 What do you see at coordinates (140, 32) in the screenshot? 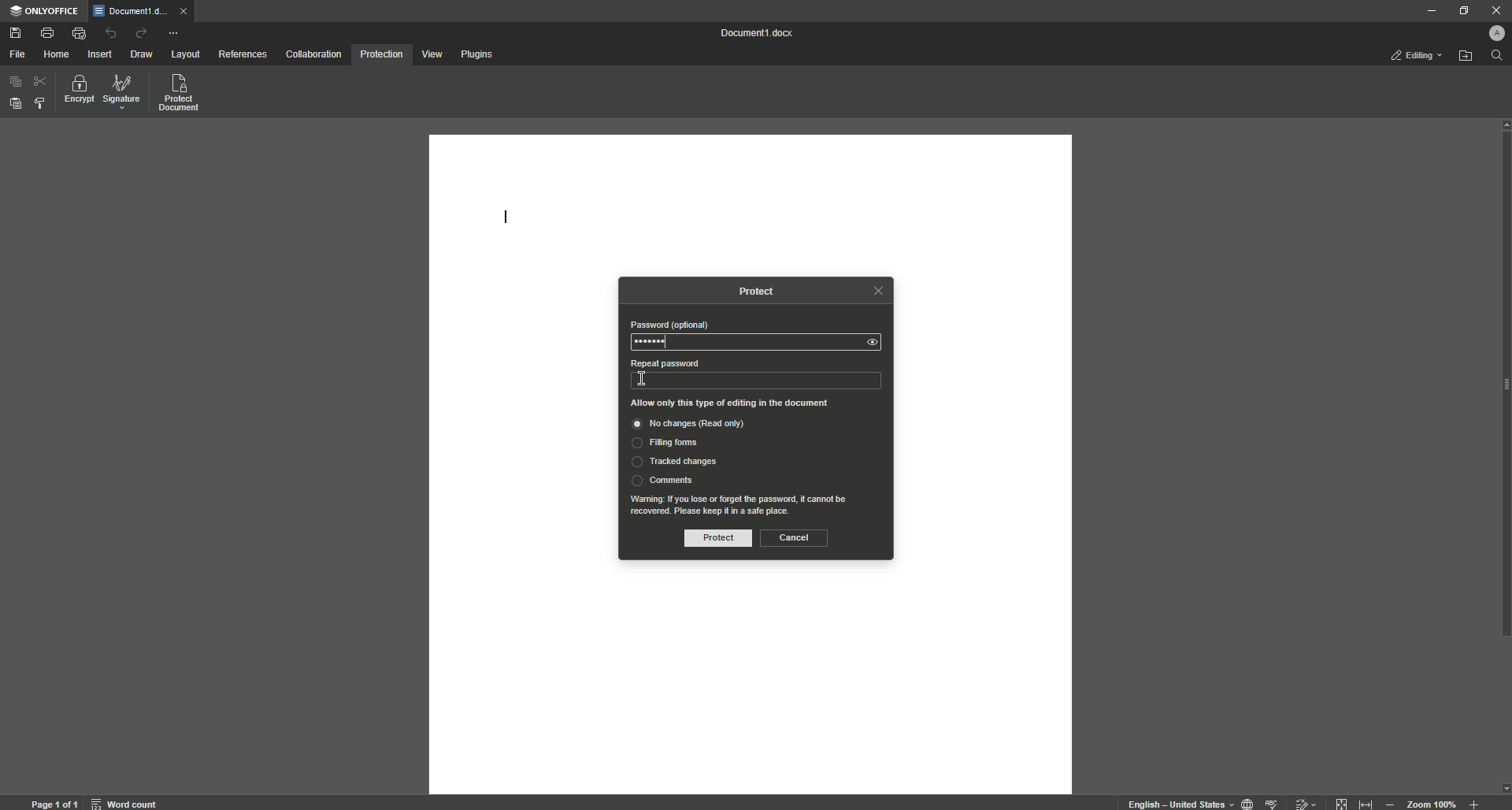
I see `Redo` at bounding box center [140, 32].